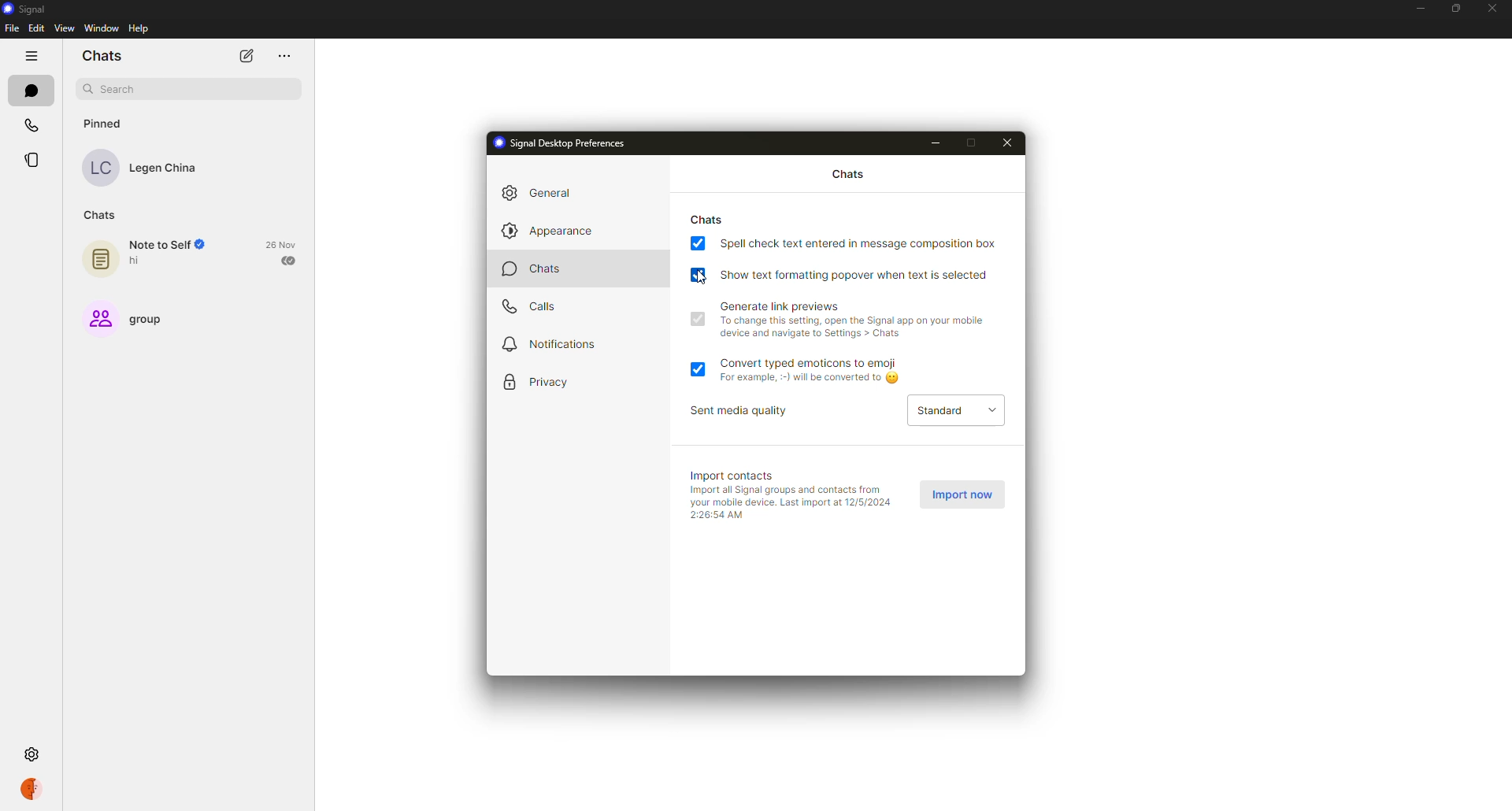 The width and height of the screenshot is (1512, 811). What do you see at coordinates (102, 123) in the screenshot?
I see `pinned` at bounding box center [102, 123].